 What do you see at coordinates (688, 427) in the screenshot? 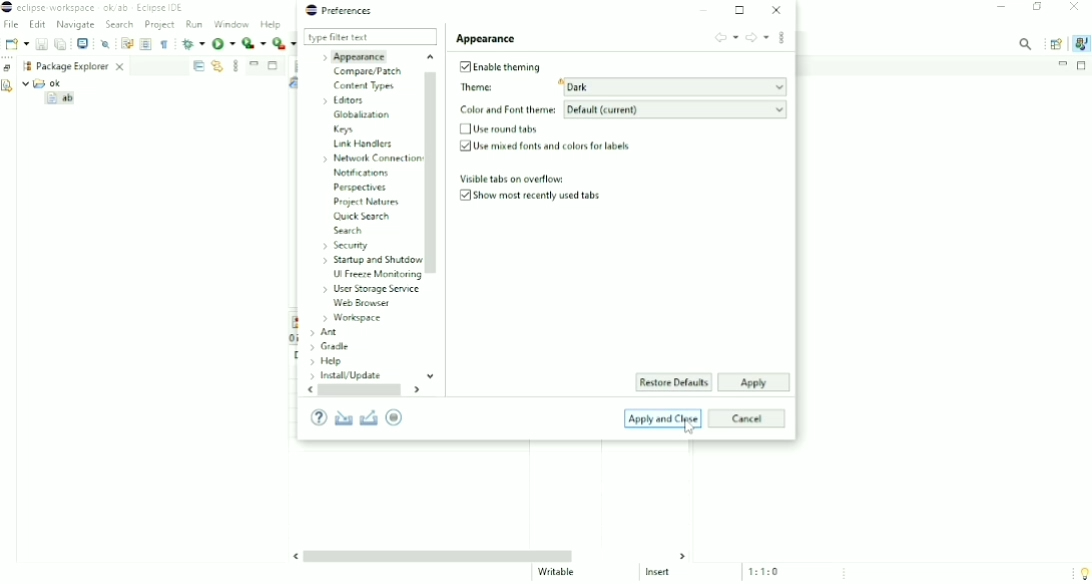
I see `Cursor` at bounding box center [688, 427].